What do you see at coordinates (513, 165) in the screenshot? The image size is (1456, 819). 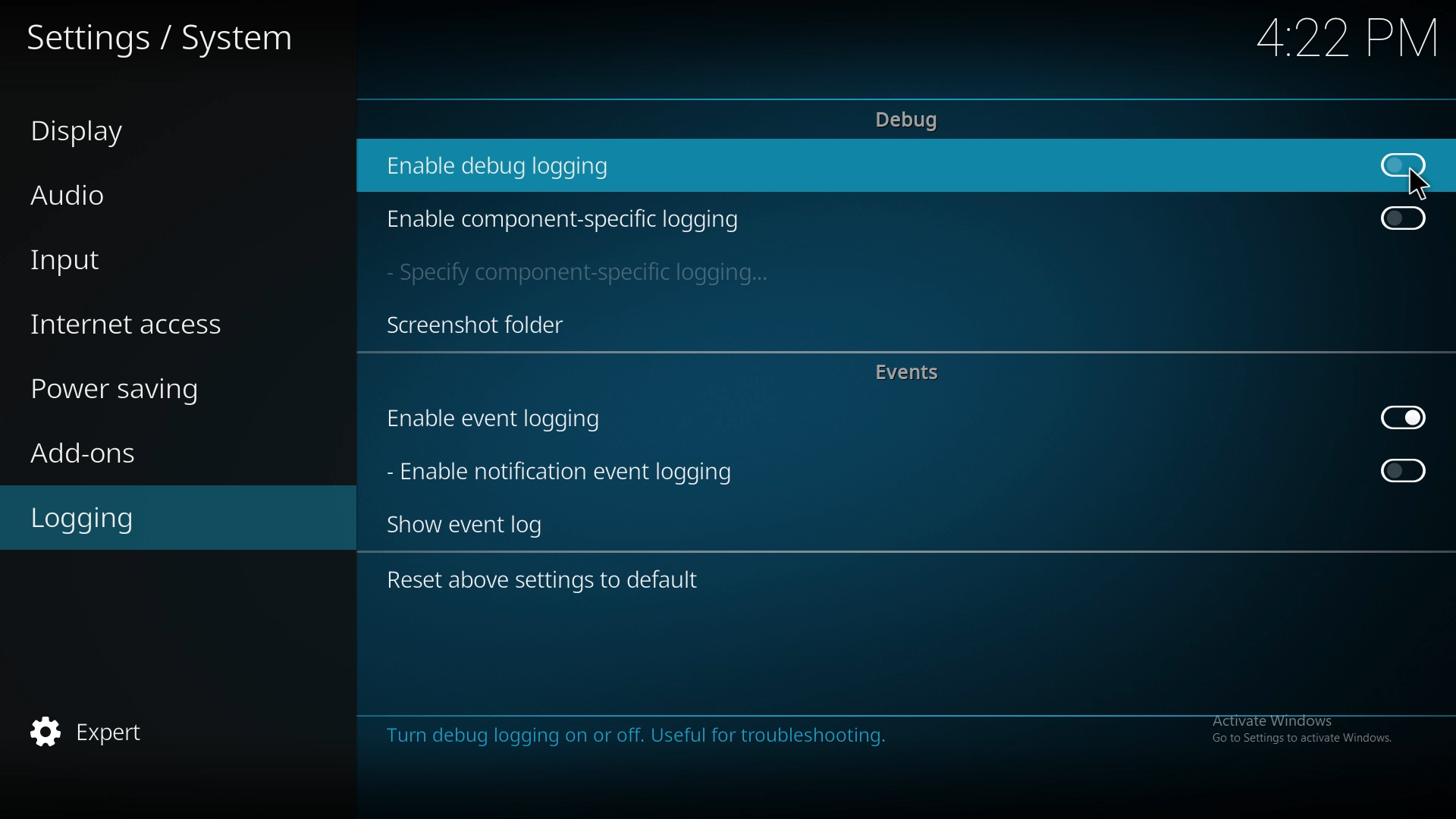 I see `enable debug logging` at bounding box center [513, 165].